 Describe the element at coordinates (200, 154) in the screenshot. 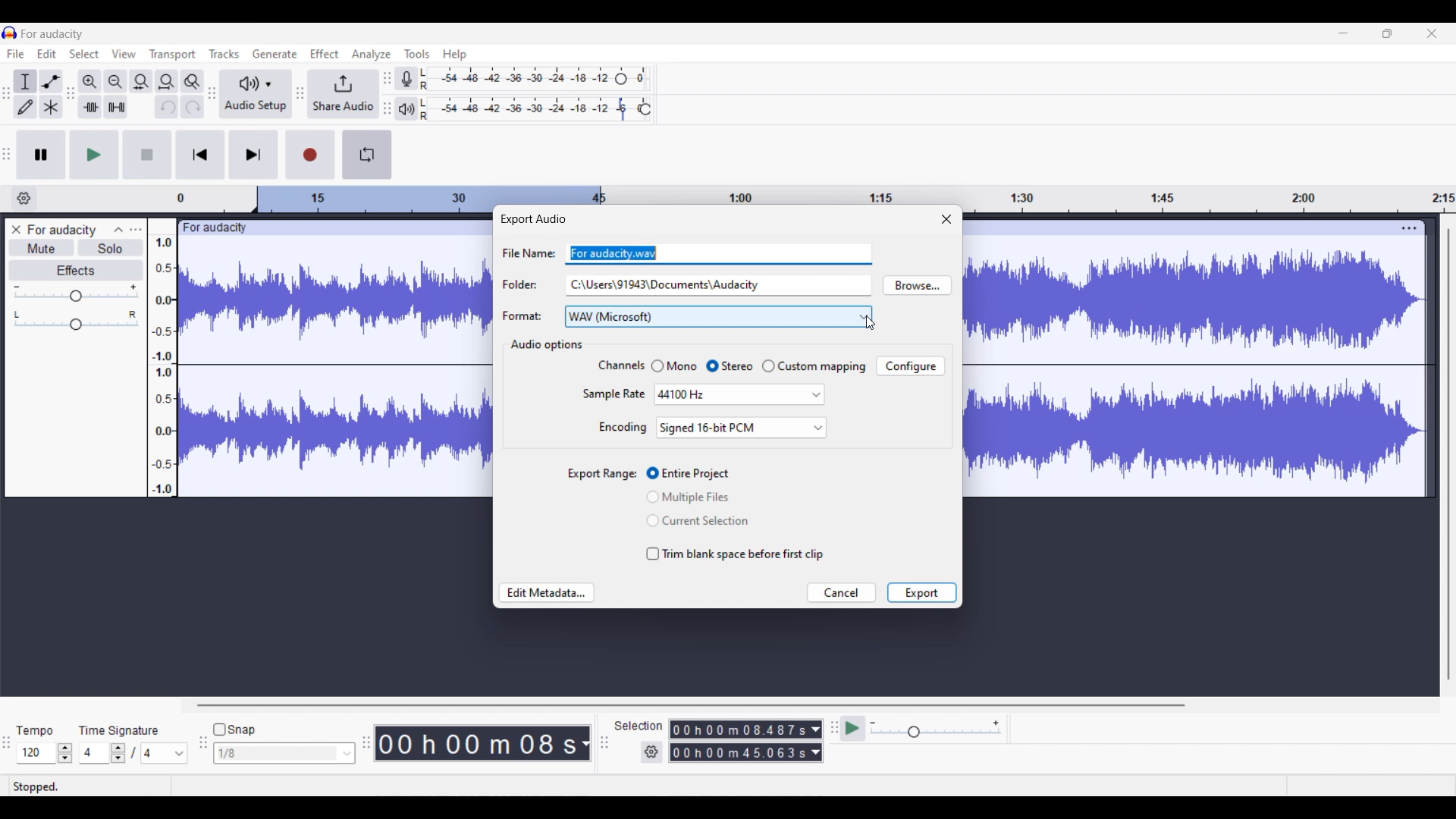

I see `Skip/Select to start` at that location.